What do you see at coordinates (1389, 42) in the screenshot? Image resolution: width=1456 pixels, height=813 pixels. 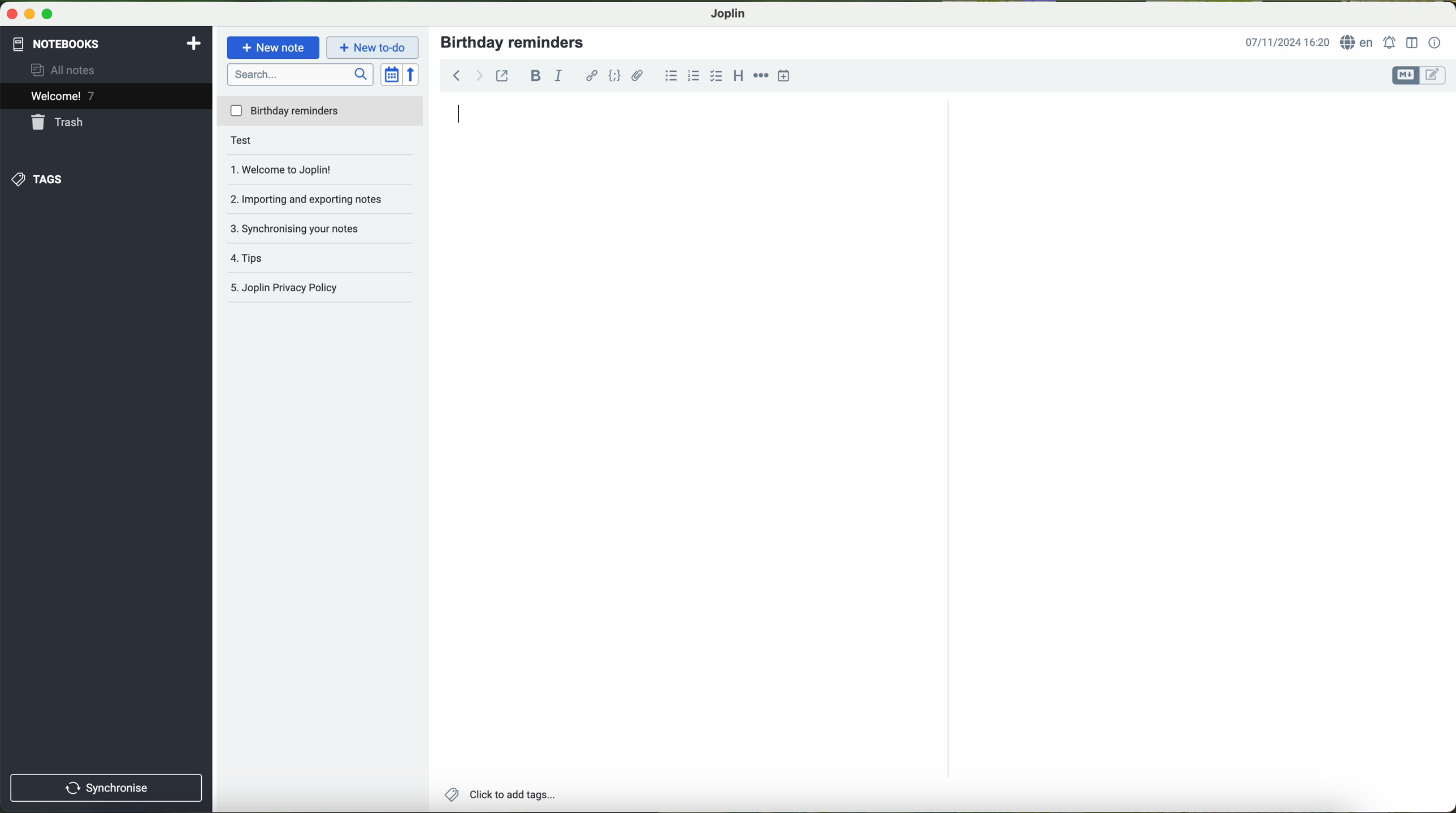 I see `set alarm` at bounding box center [1389, 42].